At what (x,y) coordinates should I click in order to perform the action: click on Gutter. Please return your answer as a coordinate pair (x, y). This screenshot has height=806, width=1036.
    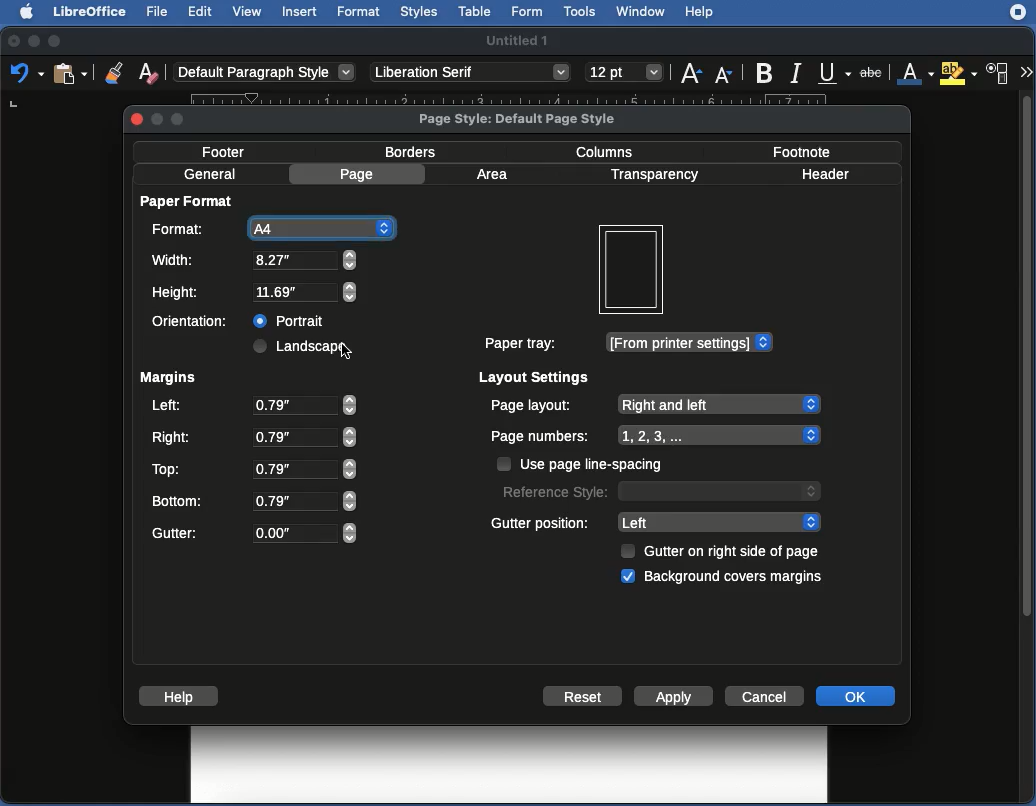
    Looking at the image, I should click on (177, 534).